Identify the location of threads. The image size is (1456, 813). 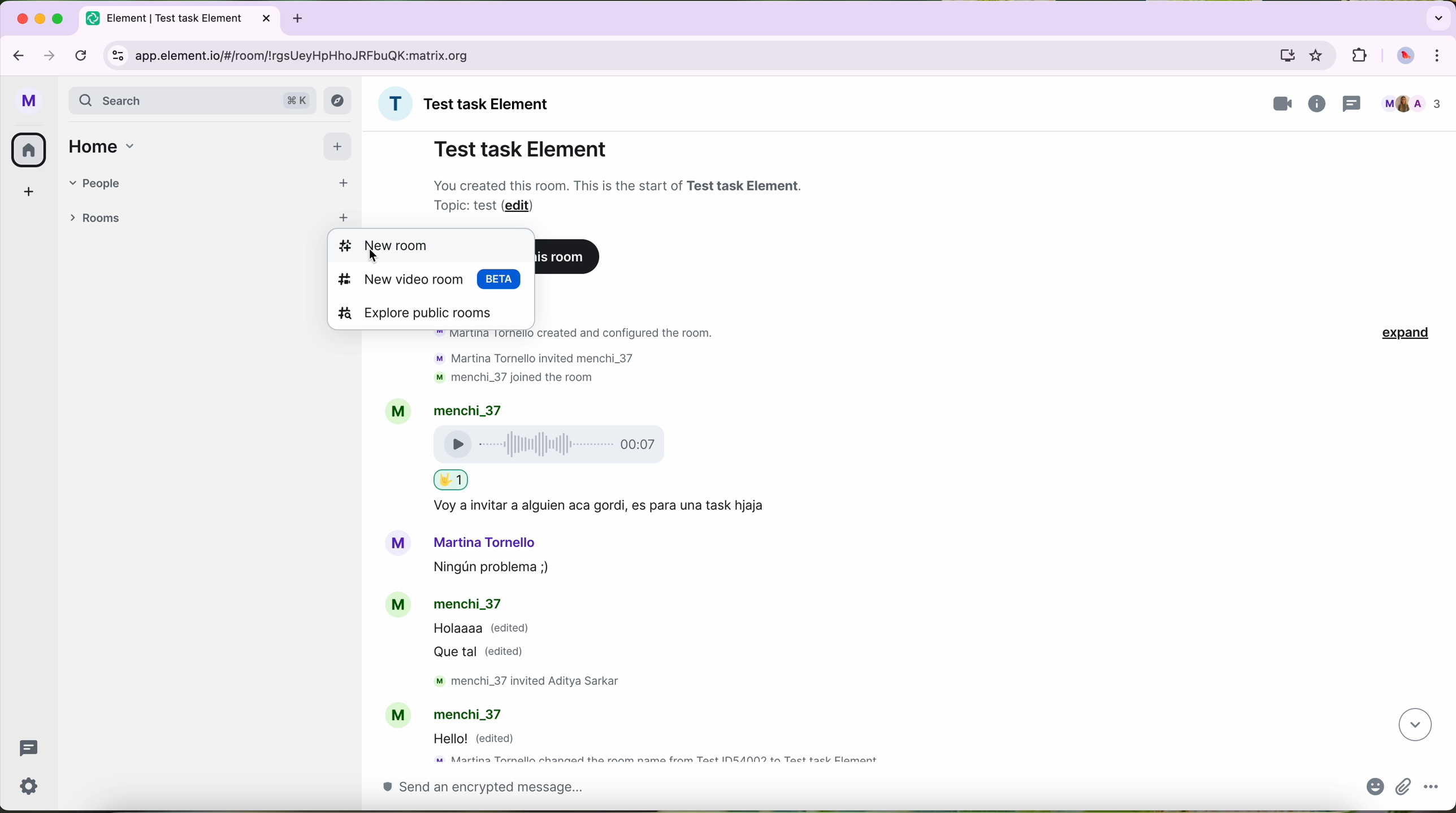
(1355, 102).